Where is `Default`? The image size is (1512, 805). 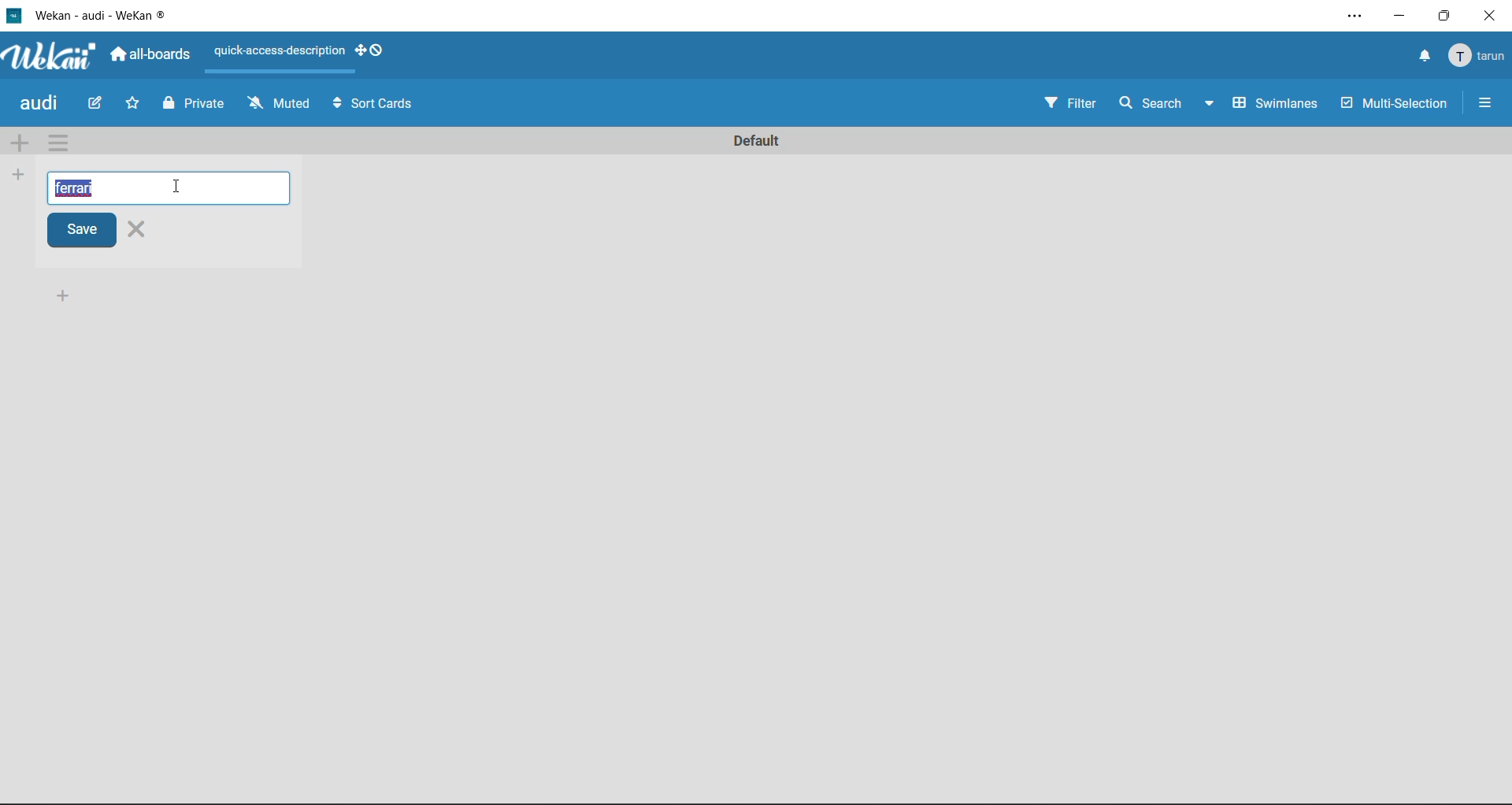 Default is located at coordinates (762, 138).